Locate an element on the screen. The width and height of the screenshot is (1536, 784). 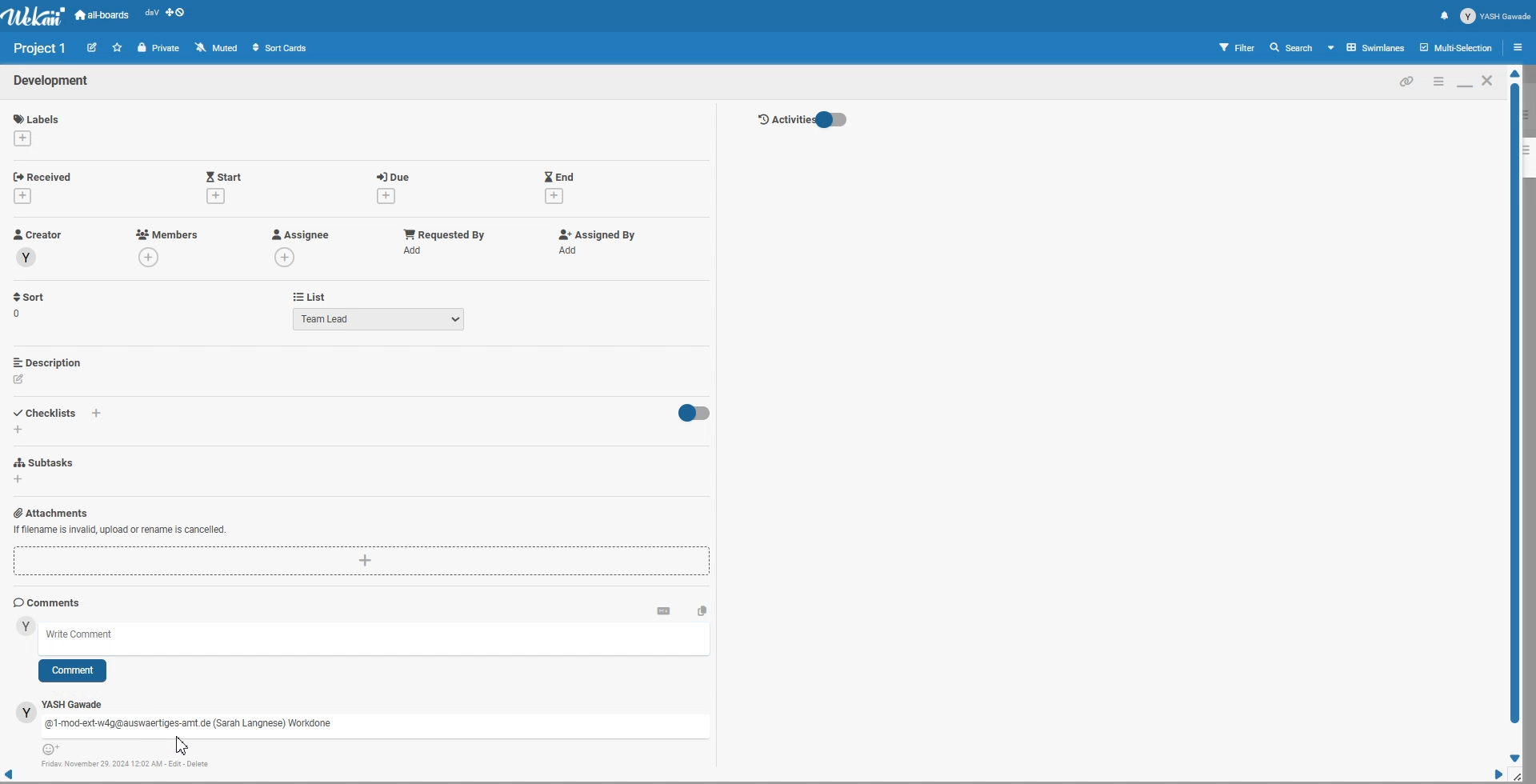
Add End Date is located at coordinates (560, 175).